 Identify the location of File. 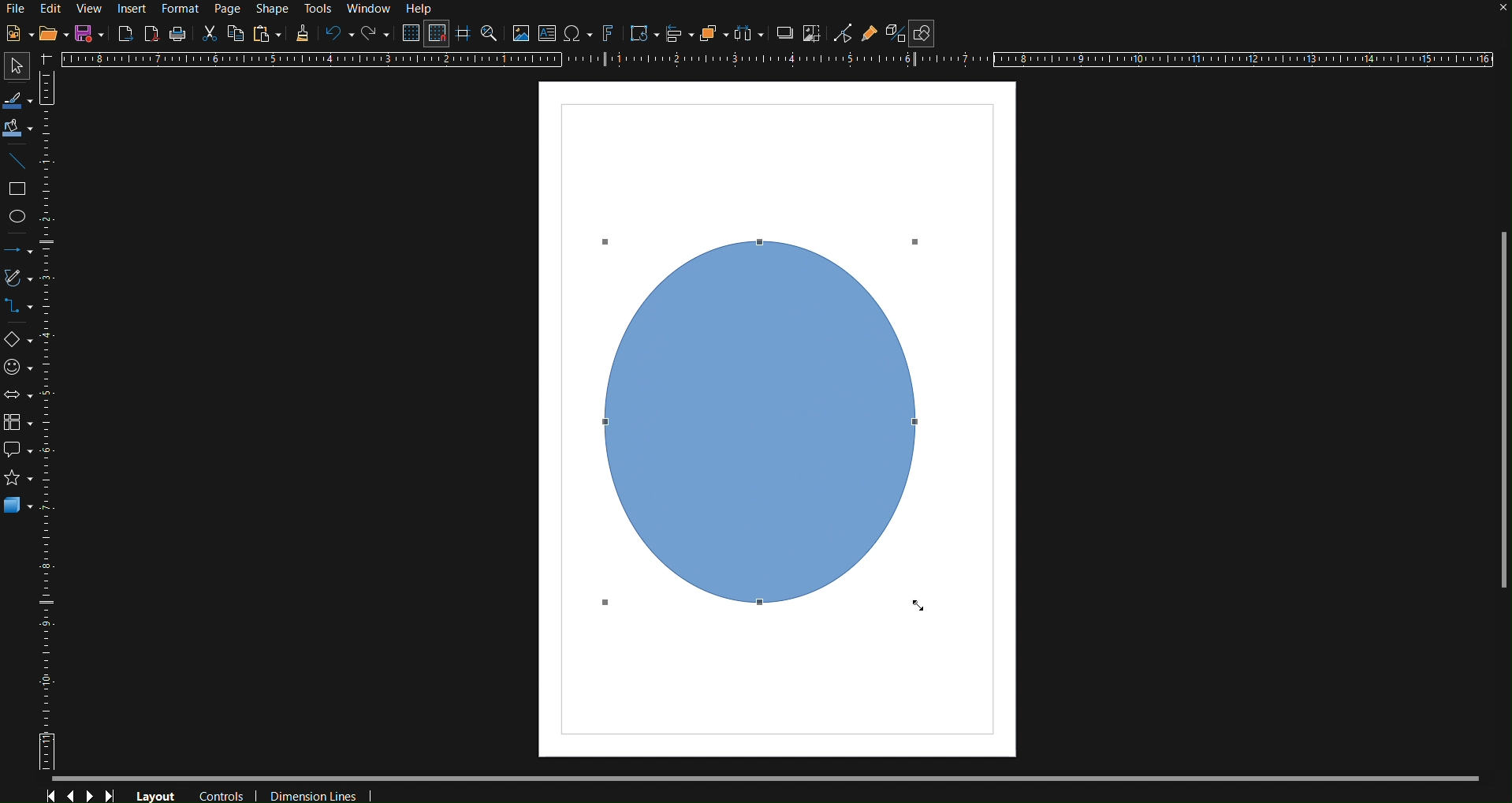
(15, 10).